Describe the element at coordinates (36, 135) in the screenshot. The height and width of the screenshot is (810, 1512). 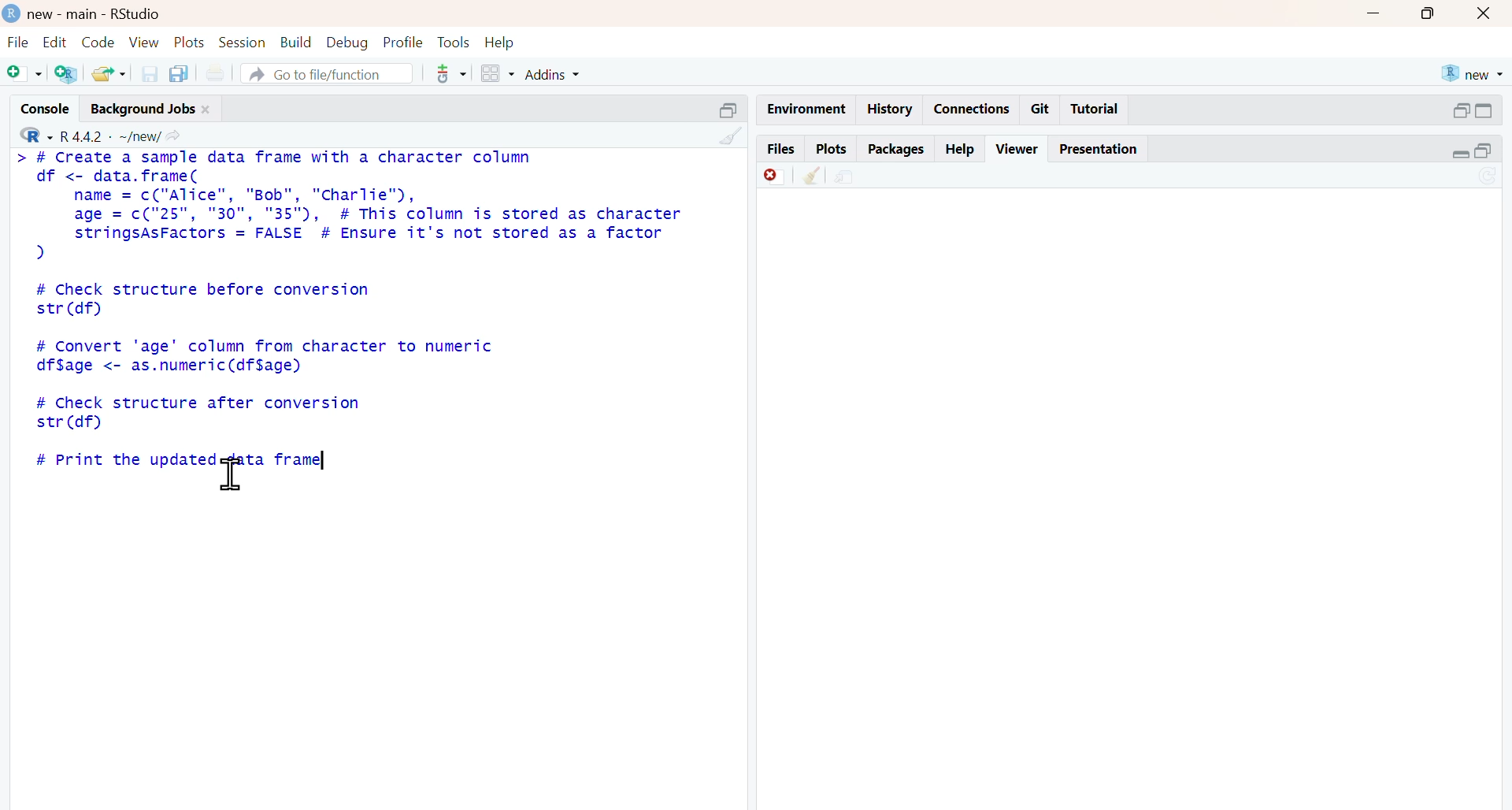
I see `R` at that location.